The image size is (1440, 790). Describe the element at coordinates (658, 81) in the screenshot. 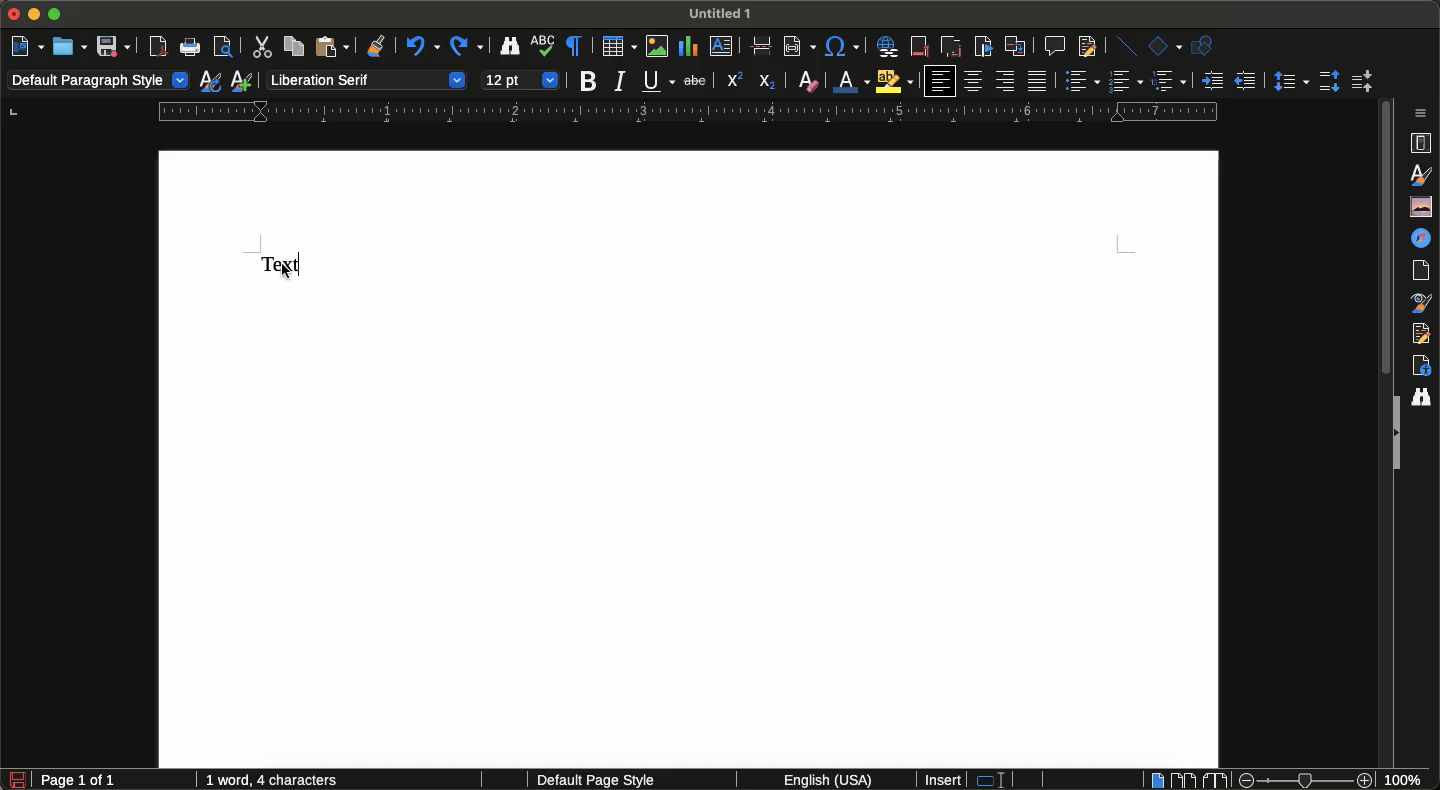

I see `Underline` at that location.